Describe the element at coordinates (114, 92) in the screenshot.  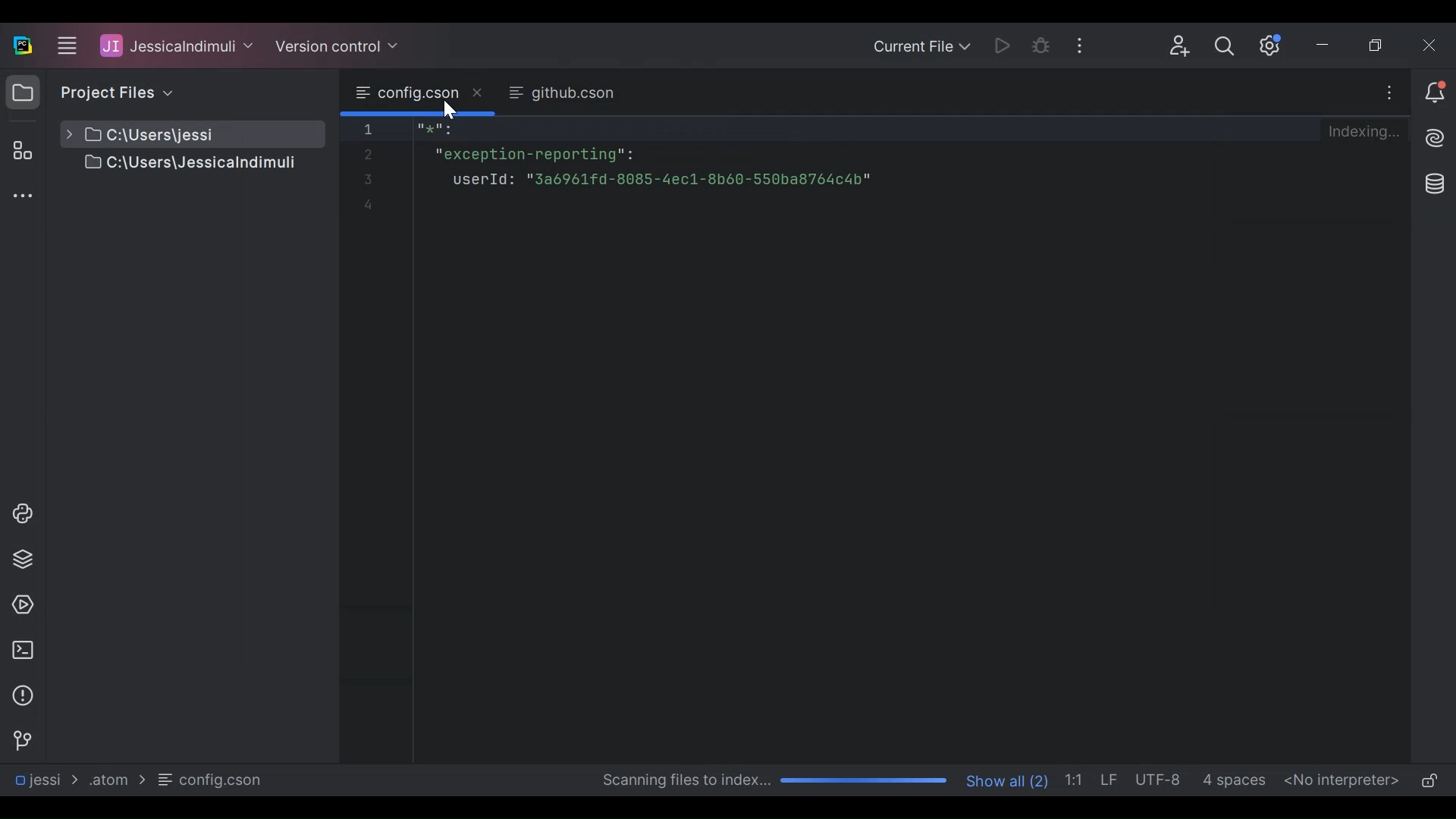
I see `Project File View` at that location.